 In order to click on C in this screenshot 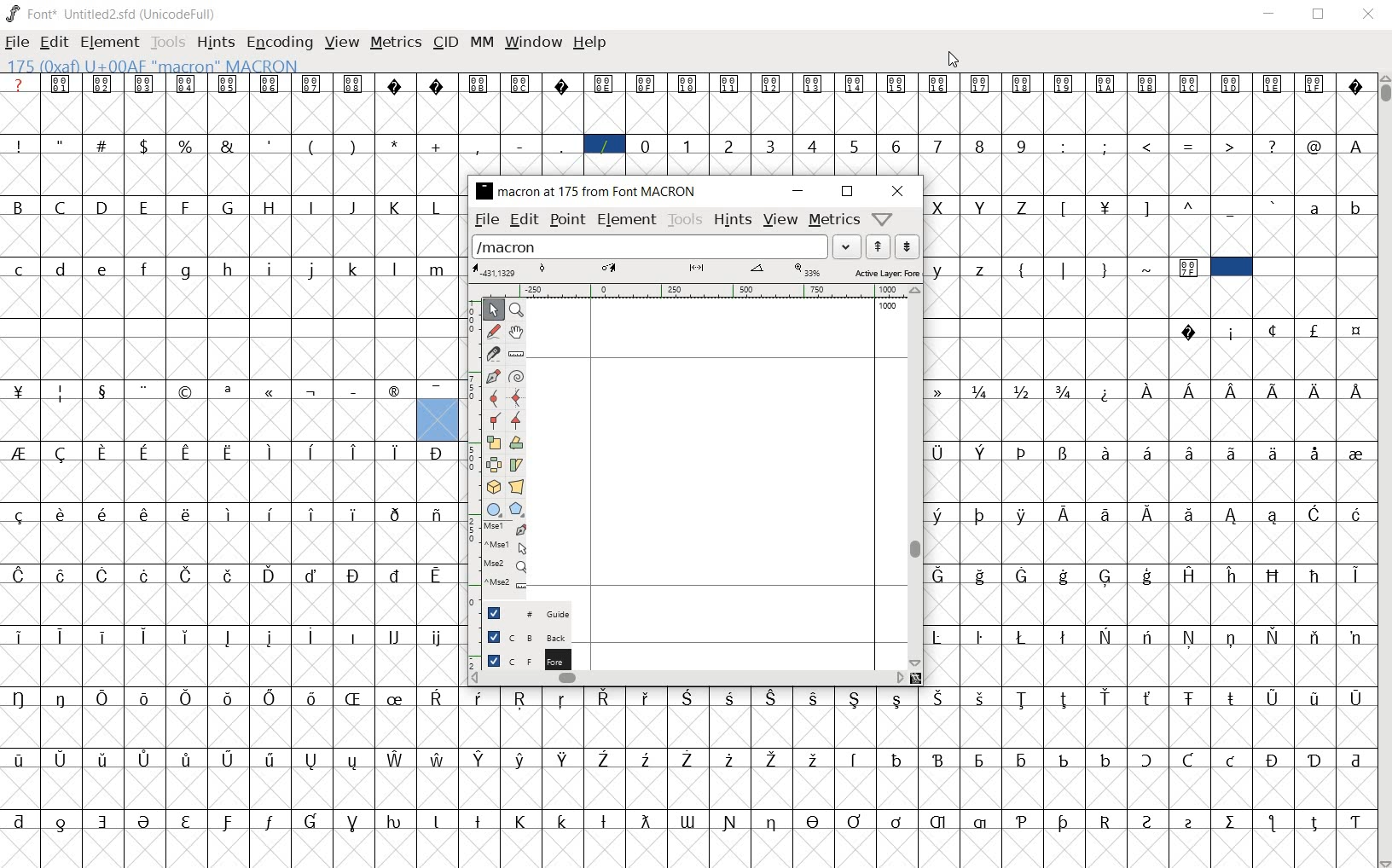, I will do `click(64, 208)`.